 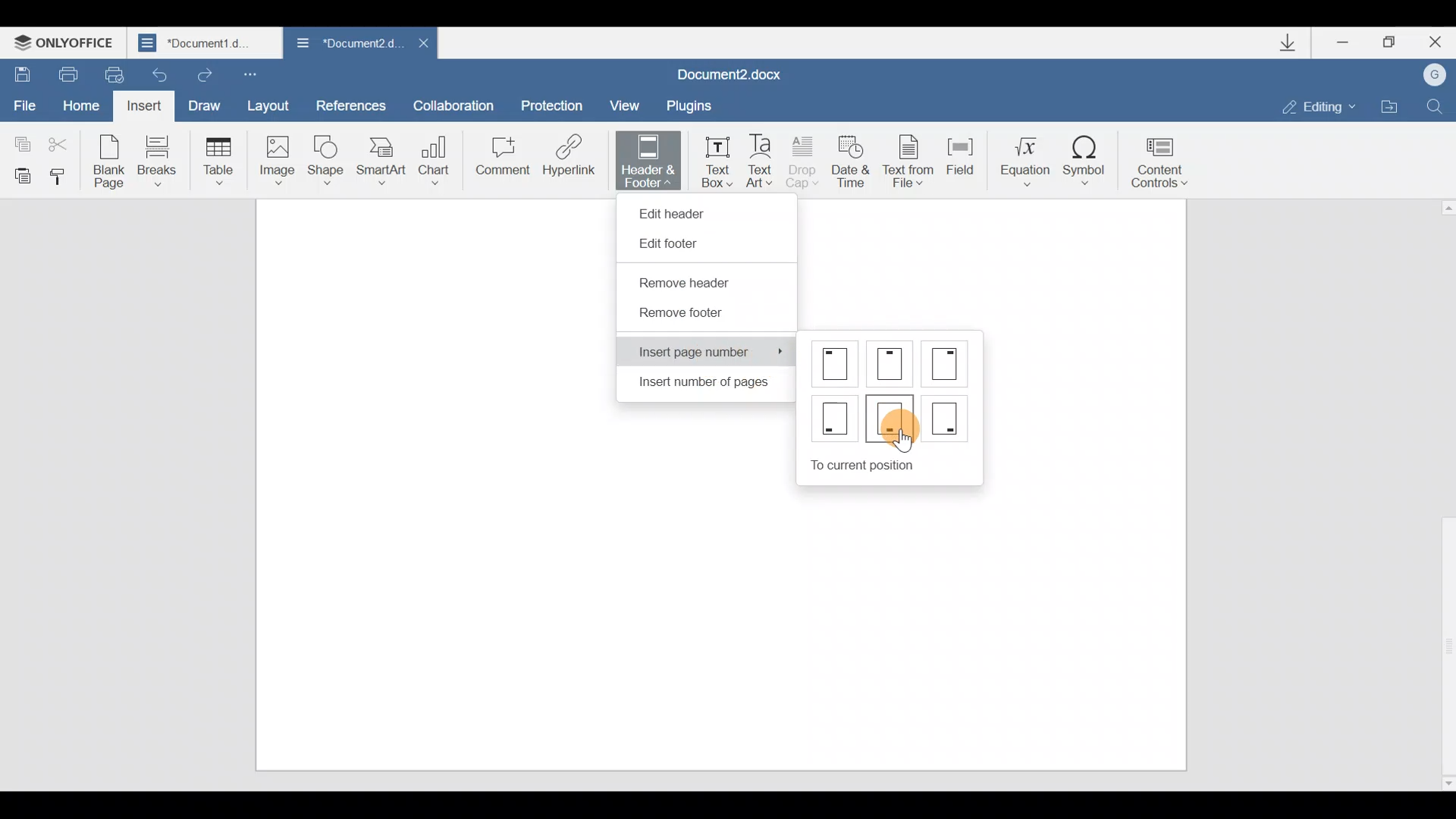 I want to click on To current position, so click(x=896, y=463).